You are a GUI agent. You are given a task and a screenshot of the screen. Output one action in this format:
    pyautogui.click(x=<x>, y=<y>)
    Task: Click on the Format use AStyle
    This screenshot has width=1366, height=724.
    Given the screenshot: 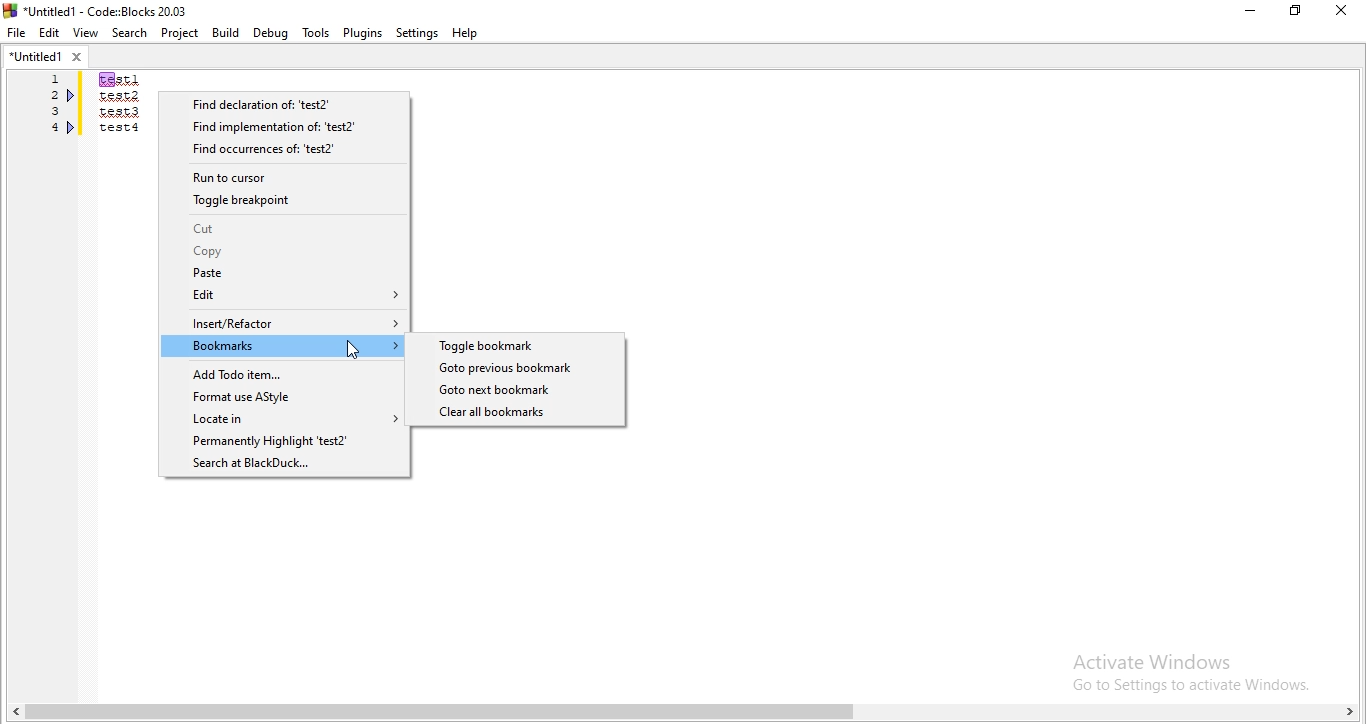 What is the action you would take?
    pyautogui.click(x=281, y=397)
    